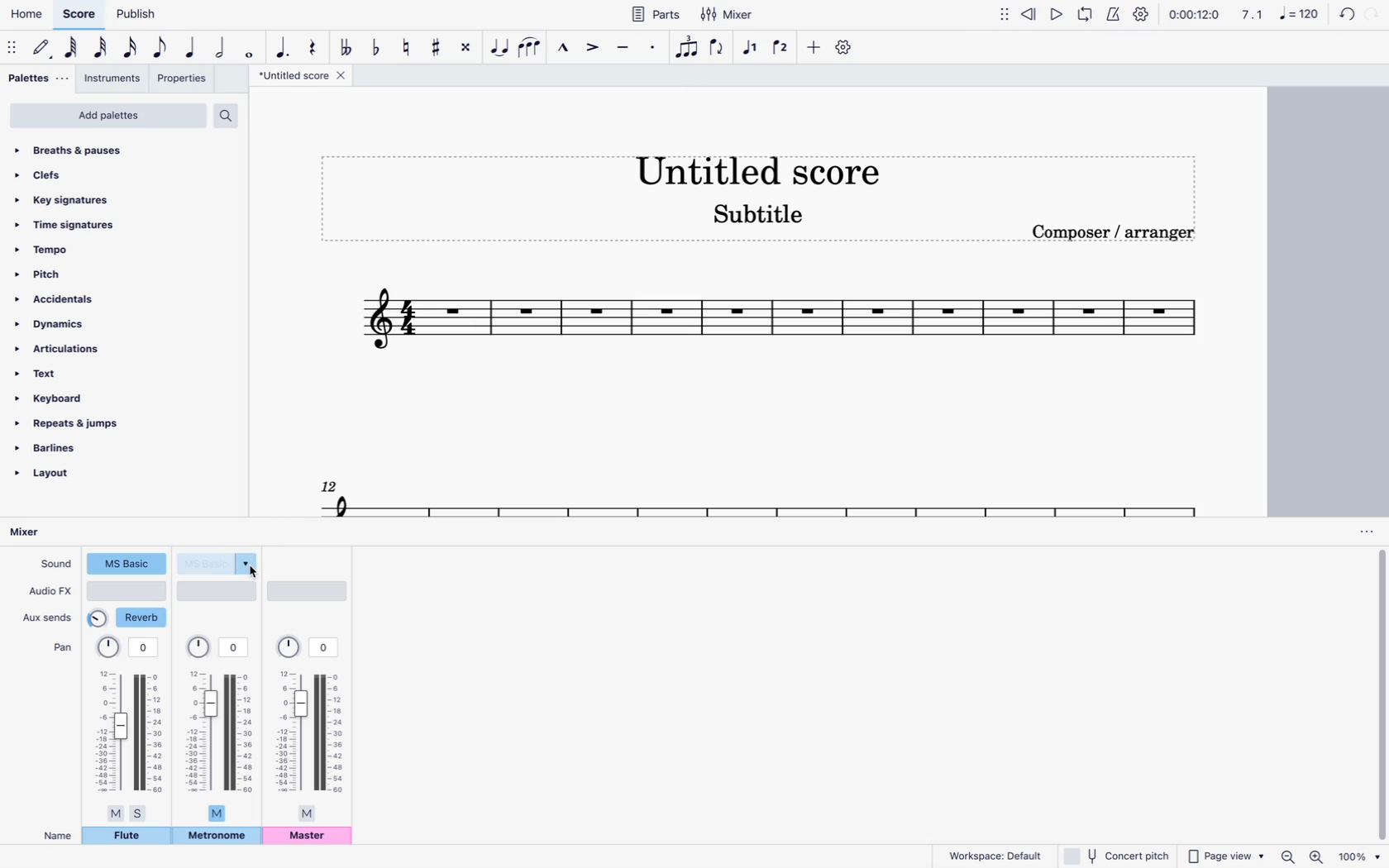 Image resolution: width=1389 pixels, height=868 pixels. Describe the element at coordinates (621, 48) in the screenshot. I see `tenuto` at that location.